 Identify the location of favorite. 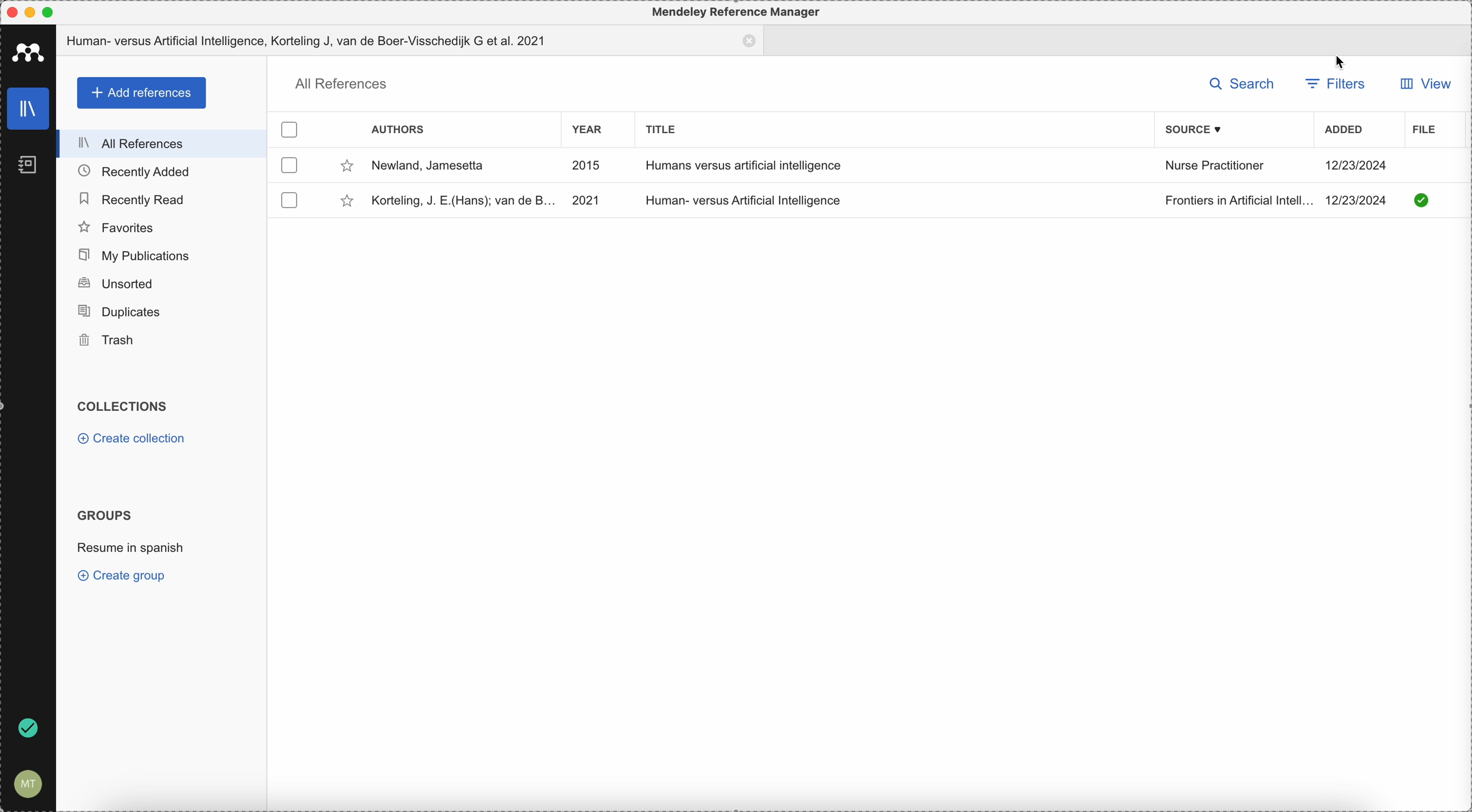
(339, 202).